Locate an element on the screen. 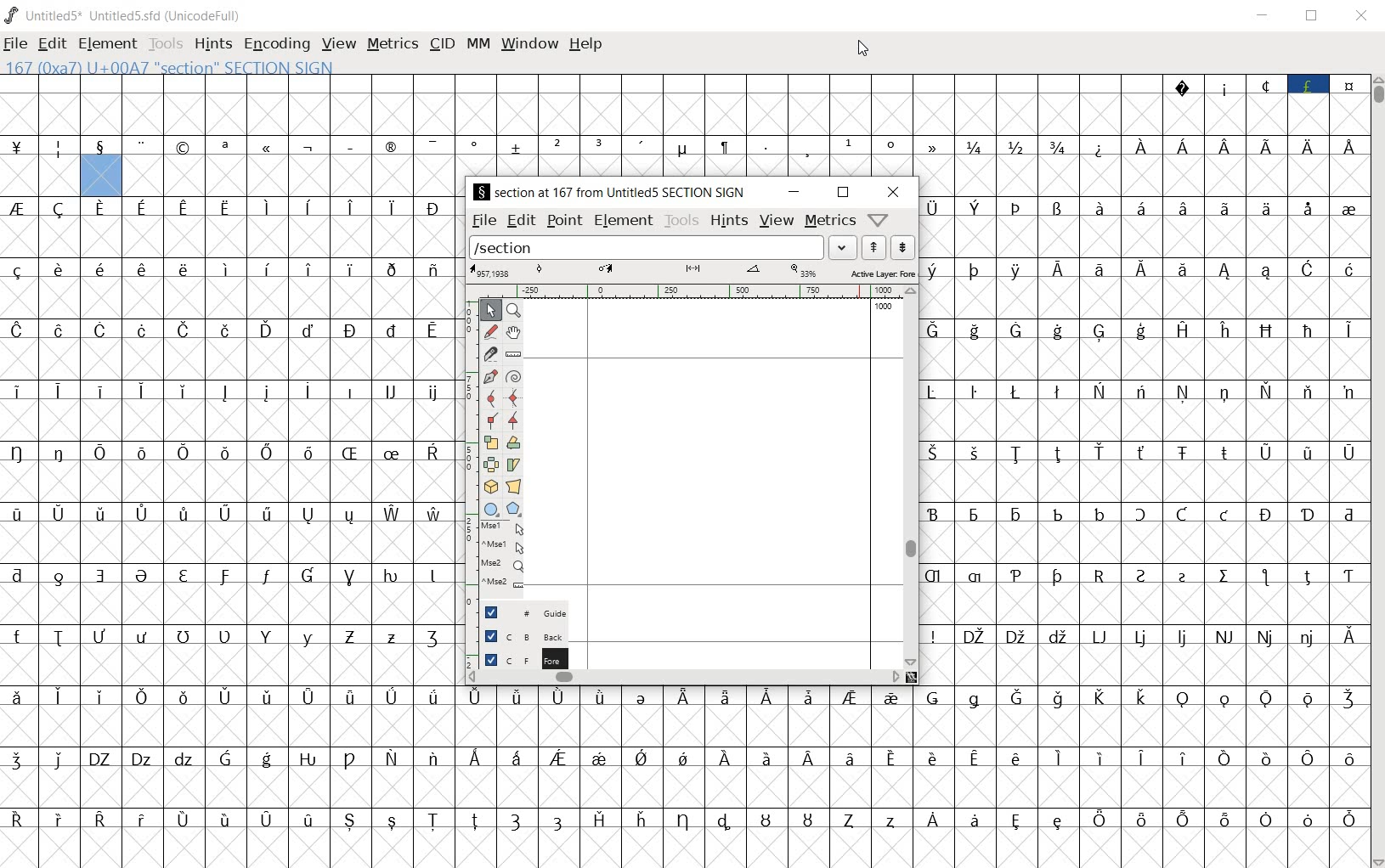 The width and height of the screenshot is (1385, 868). active layer is located at coordinates (693, 272).